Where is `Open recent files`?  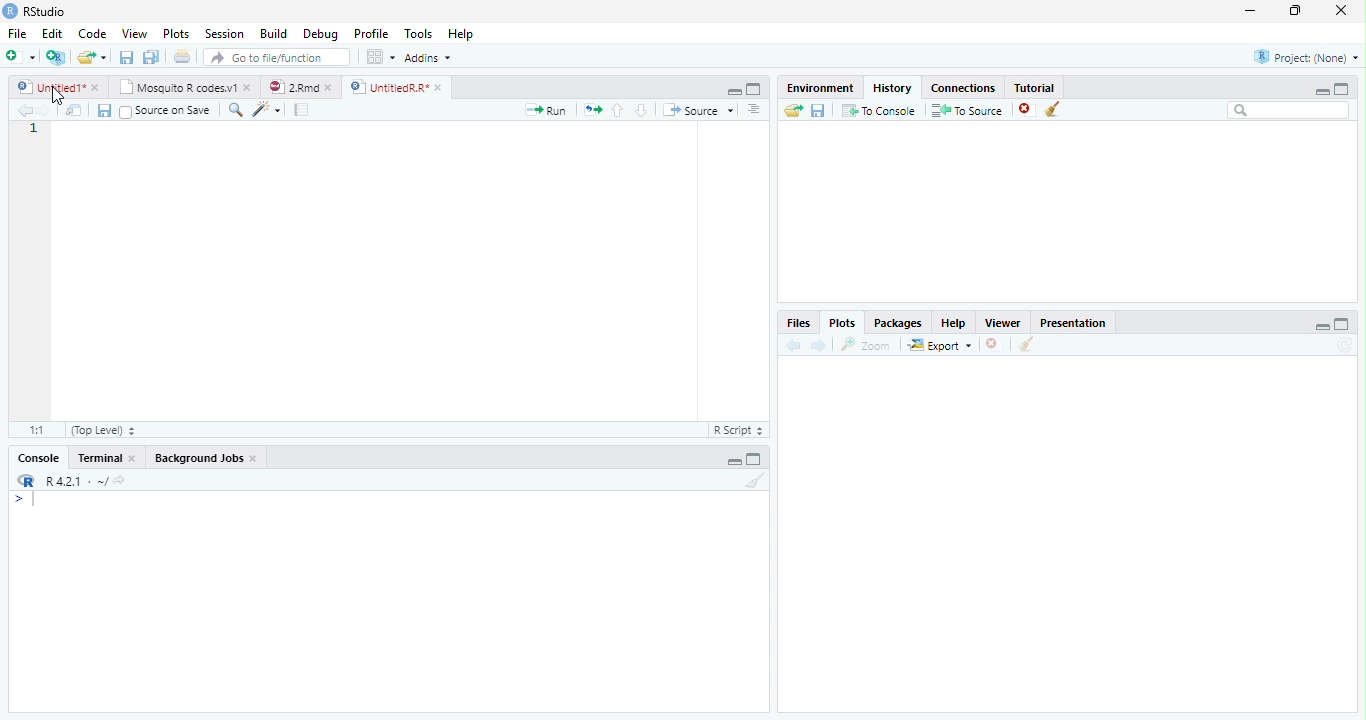
Open recent files is located at coordinates (104, 57).